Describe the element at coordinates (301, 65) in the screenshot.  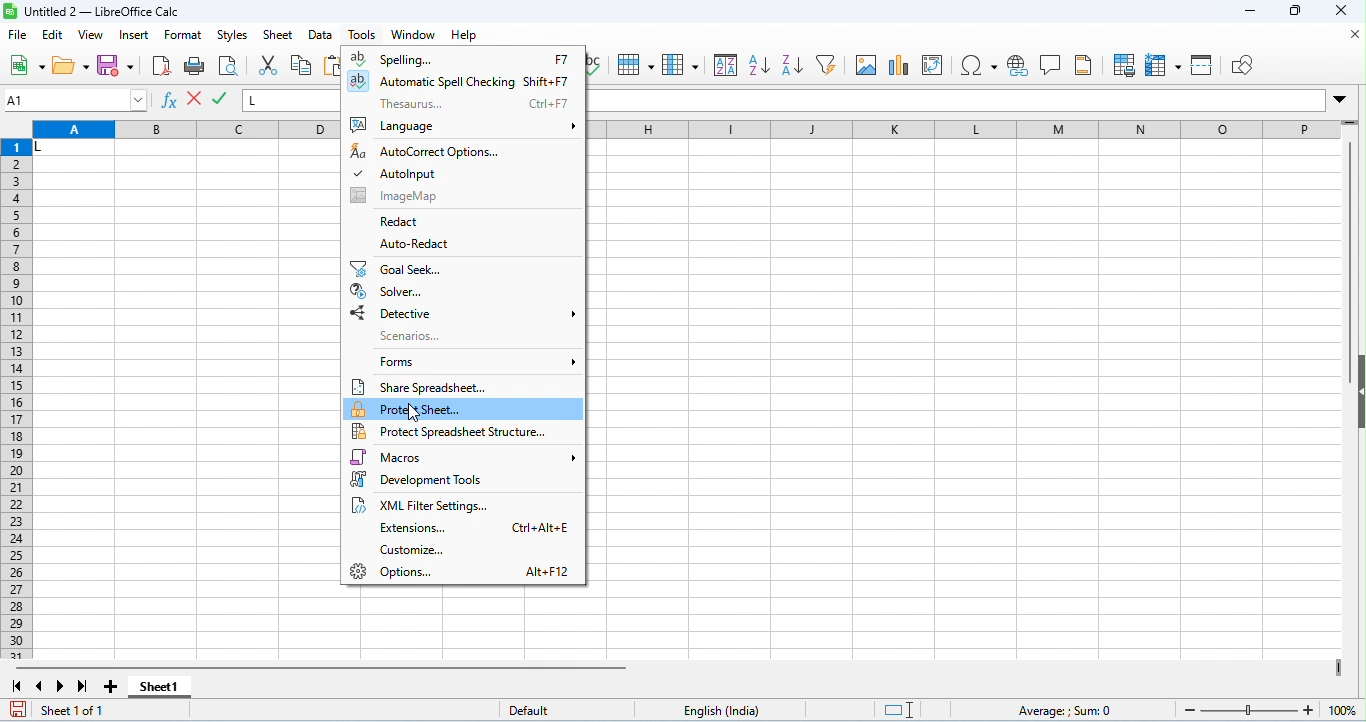
I see `copy` at that location.